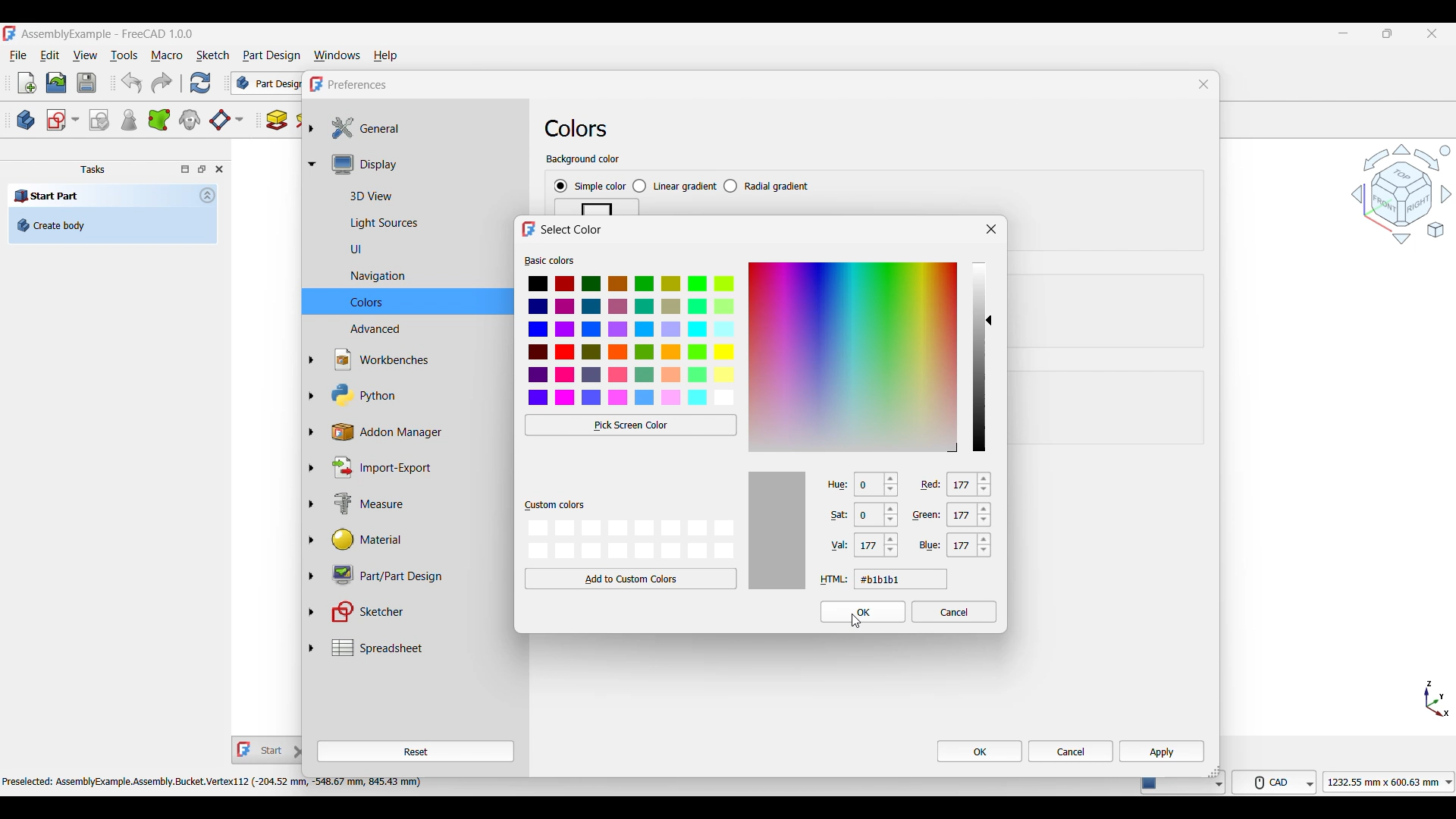 The height and width of the screenshot is (819, 1456). What do you see at coordinates (337, 56) in the screenshot?
I see `Windows menu` at bounding box center [337, 56].